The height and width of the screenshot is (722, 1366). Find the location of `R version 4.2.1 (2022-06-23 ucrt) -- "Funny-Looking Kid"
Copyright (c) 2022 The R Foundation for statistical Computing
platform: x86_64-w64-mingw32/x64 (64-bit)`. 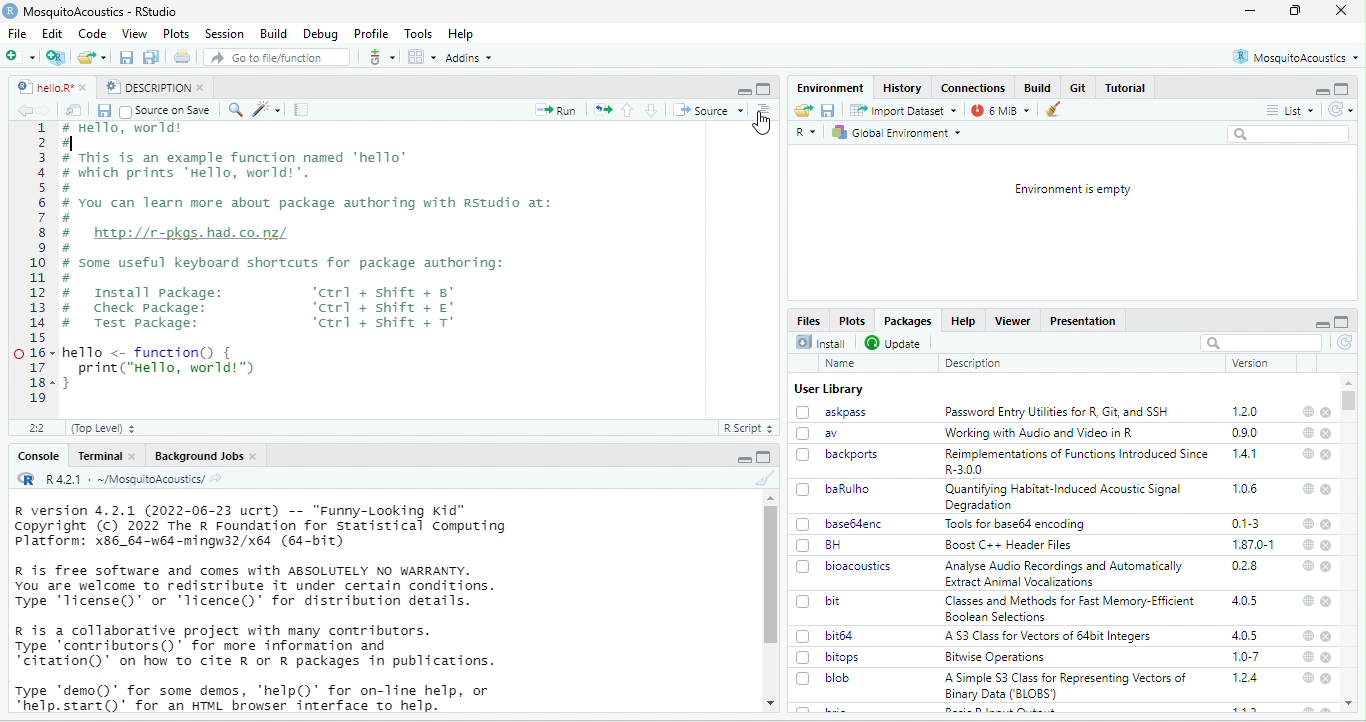

R version 4.2.1 (2022-06-23 ucrt) -- "Funny-Looking Kid"
Copyright (c) 2022 The R Foundation for statistical Computing
platform: x86_64-w64-mingw32/x64 (64-bit) is located at coordinates (261, 527).